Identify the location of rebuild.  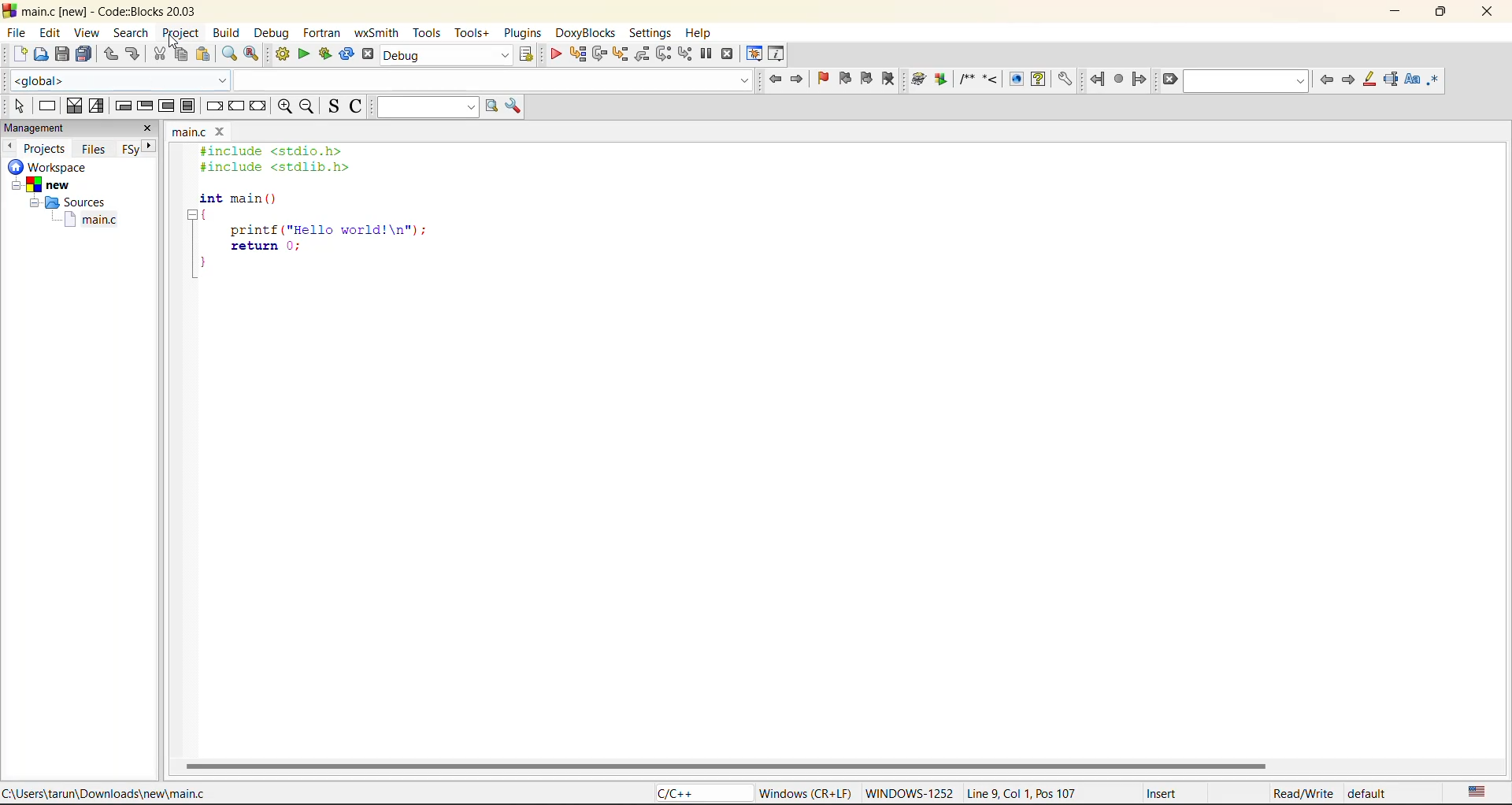
(348, 54).